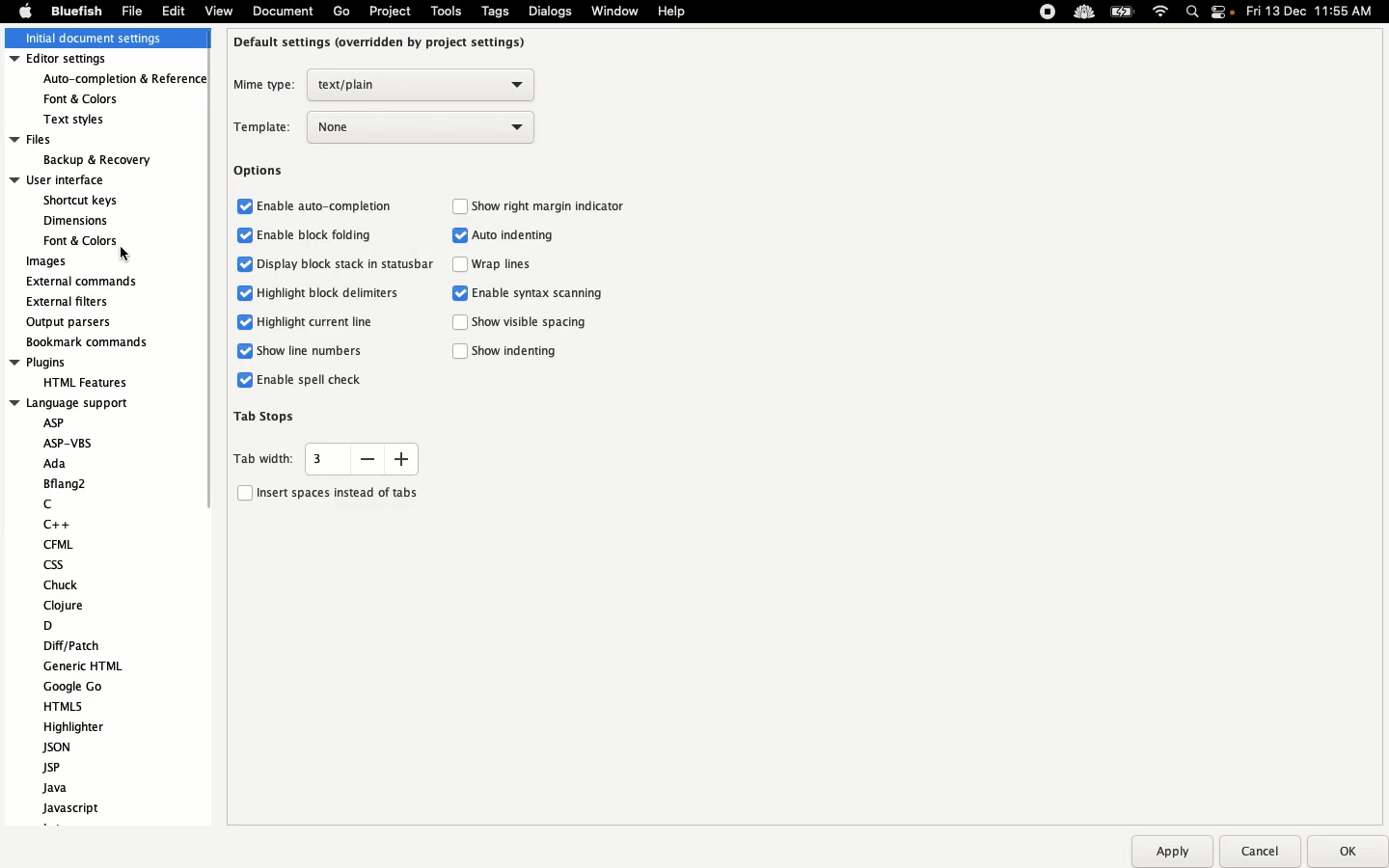 The image size is (1389, 868). What do you see at coordinates (1171, 852) in the screenshot?
I see `Apply` at bounding box center [1171, 852].